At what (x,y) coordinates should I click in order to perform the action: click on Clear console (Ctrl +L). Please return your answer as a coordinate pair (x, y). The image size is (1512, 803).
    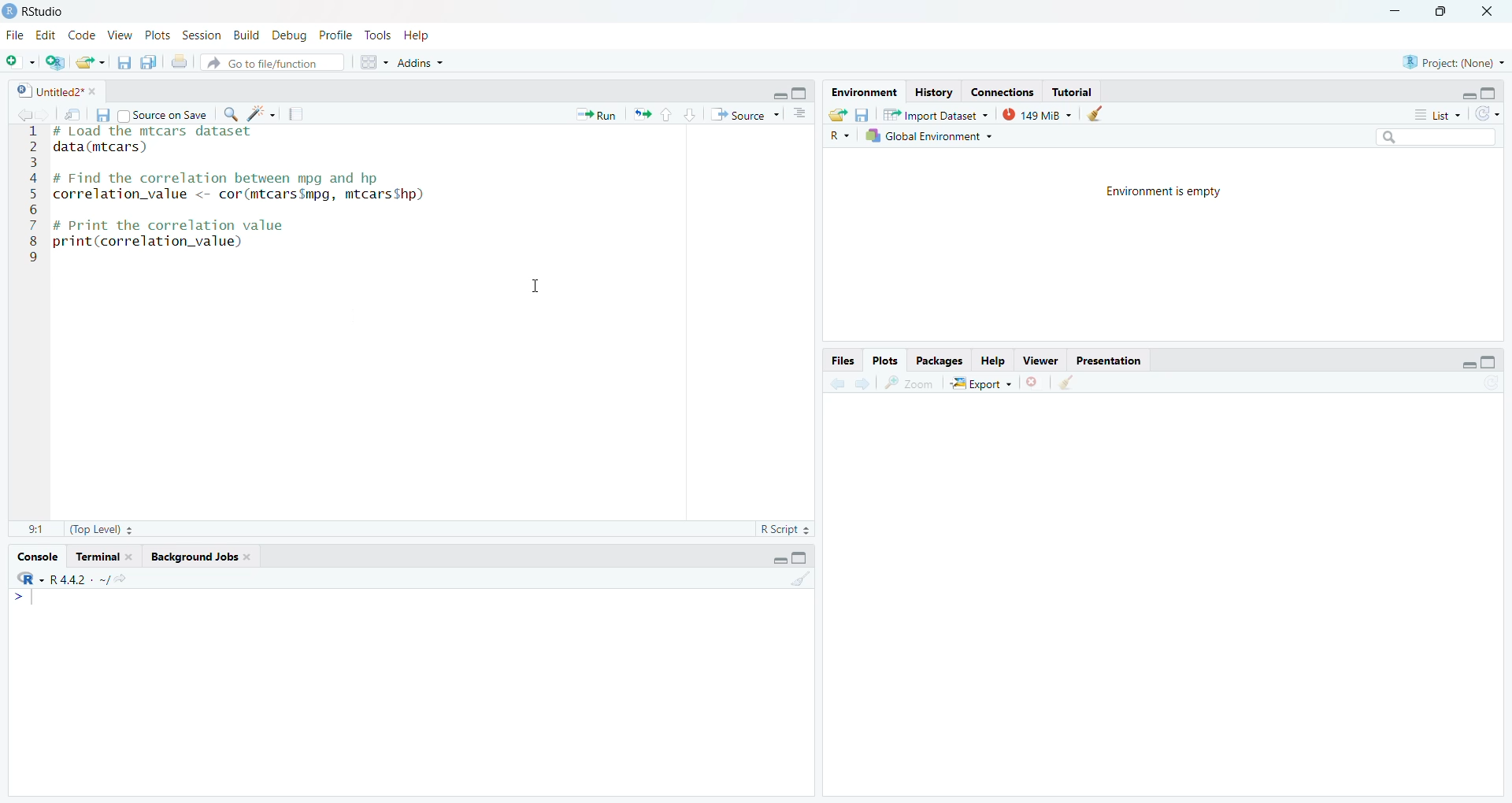
    Looking at the image, I should click on (1101, 113).